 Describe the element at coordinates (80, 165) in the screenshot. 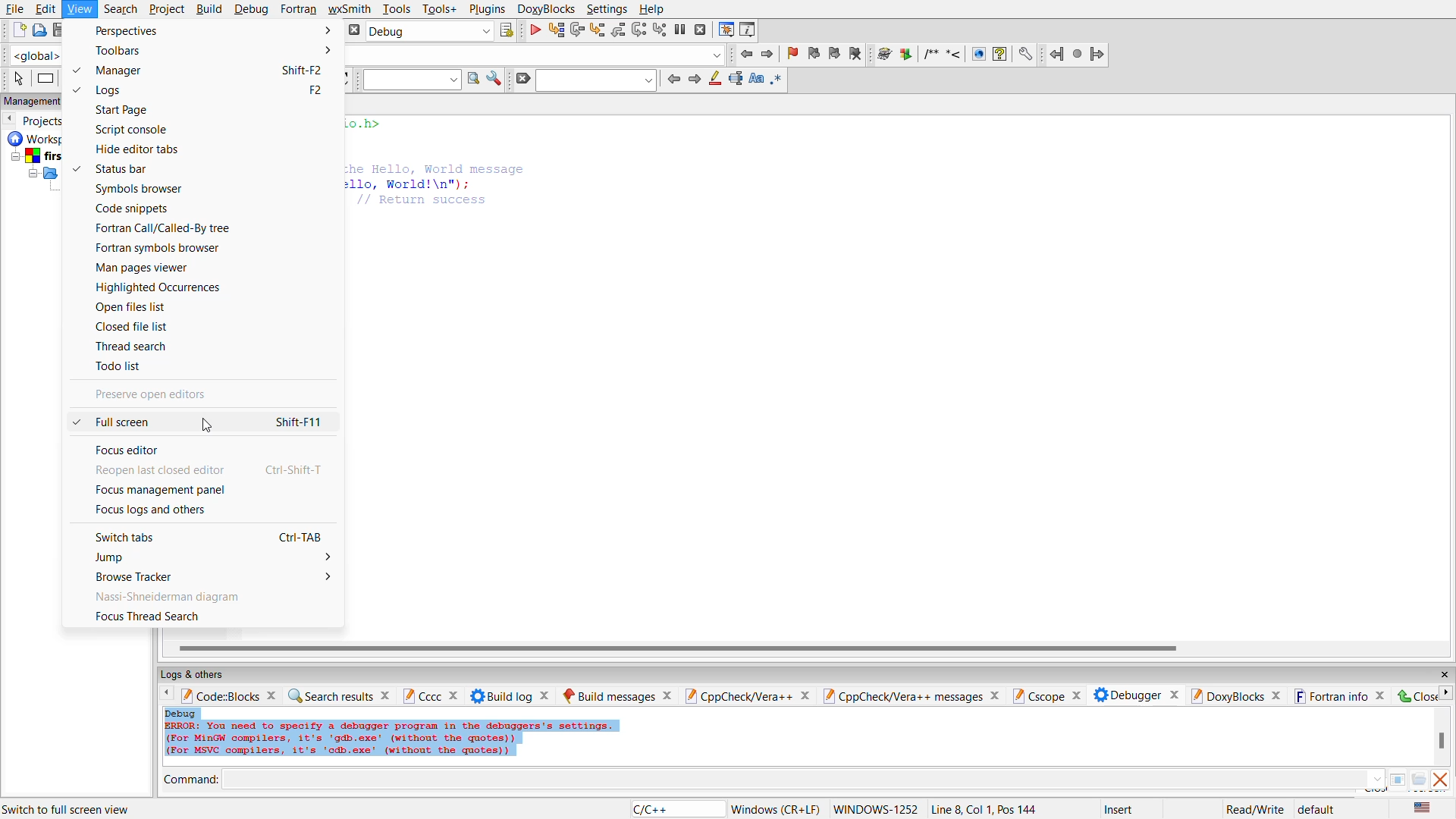

I see `check` at that location.